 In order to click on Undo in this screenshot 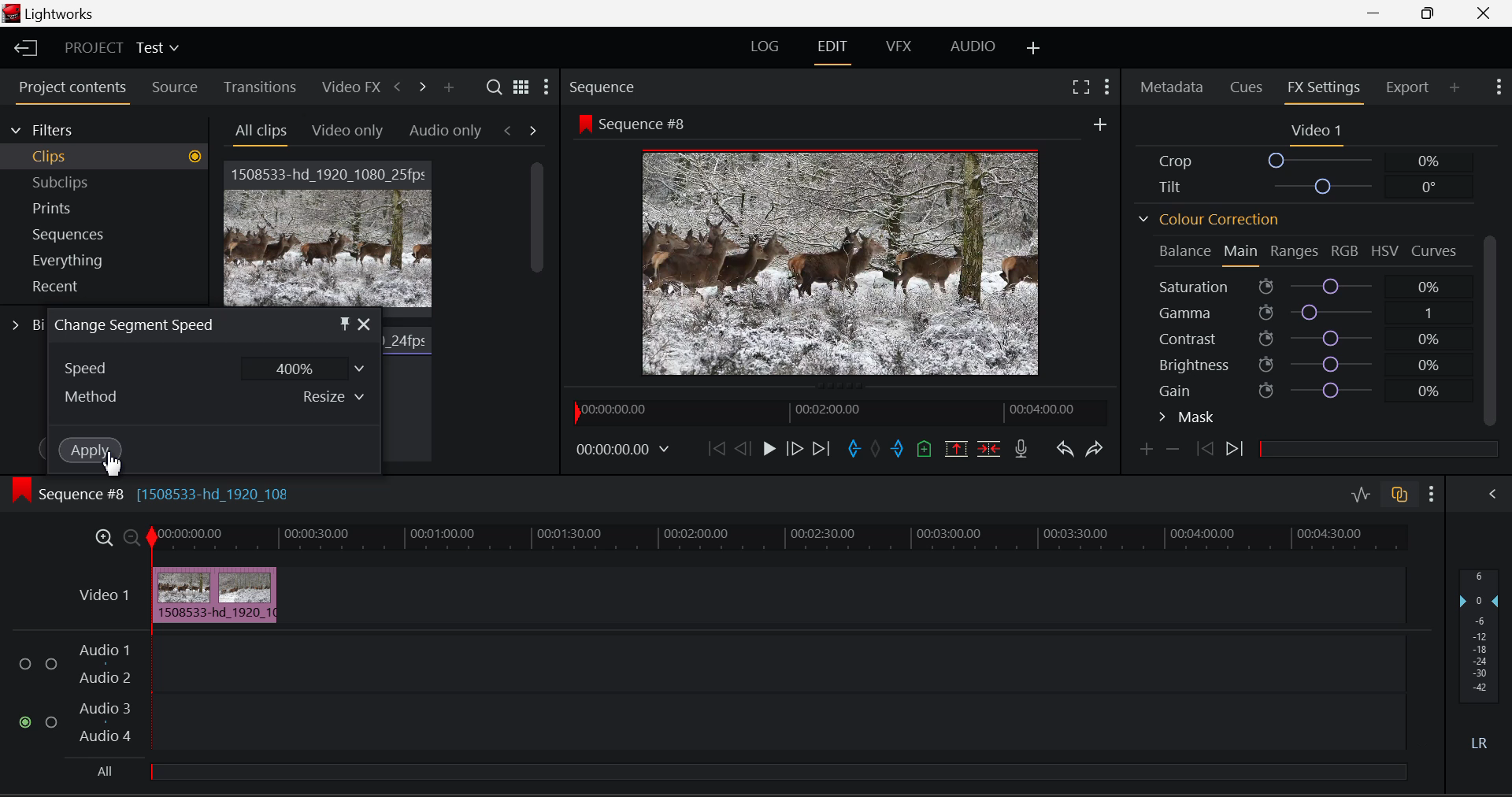, I will do `click(1063, 451)`.